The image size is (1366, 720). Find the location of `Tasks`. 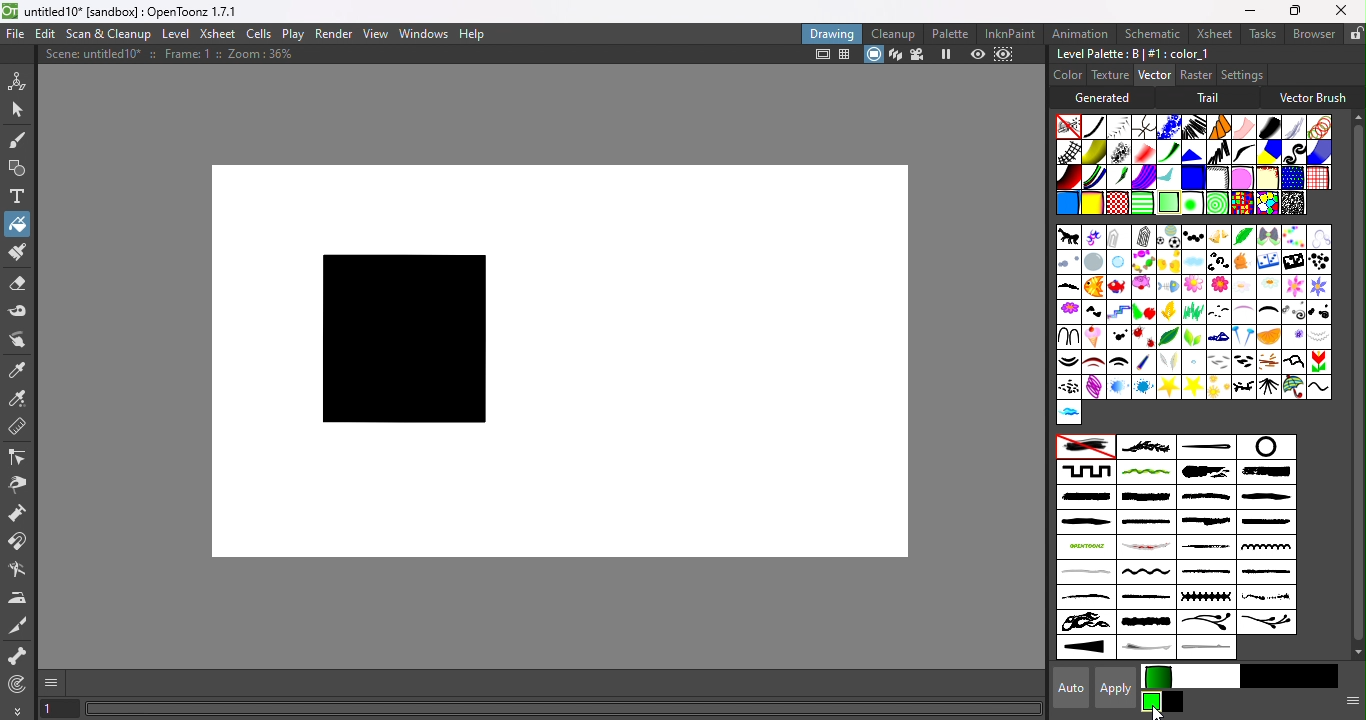

Tasks is located at coordinates (1261, 34).